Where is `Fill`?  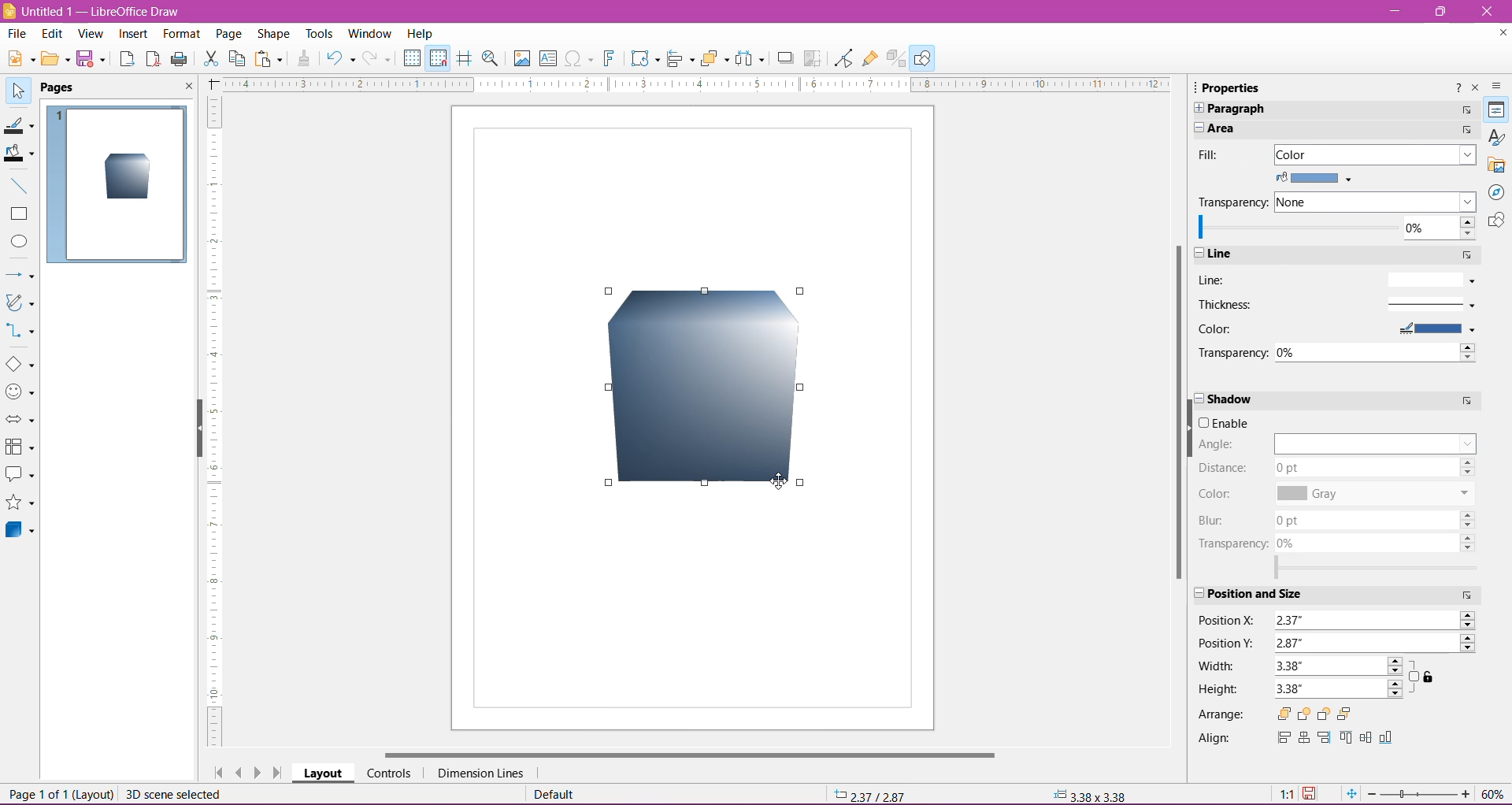 Fill is located at coordinates (1214, 154).